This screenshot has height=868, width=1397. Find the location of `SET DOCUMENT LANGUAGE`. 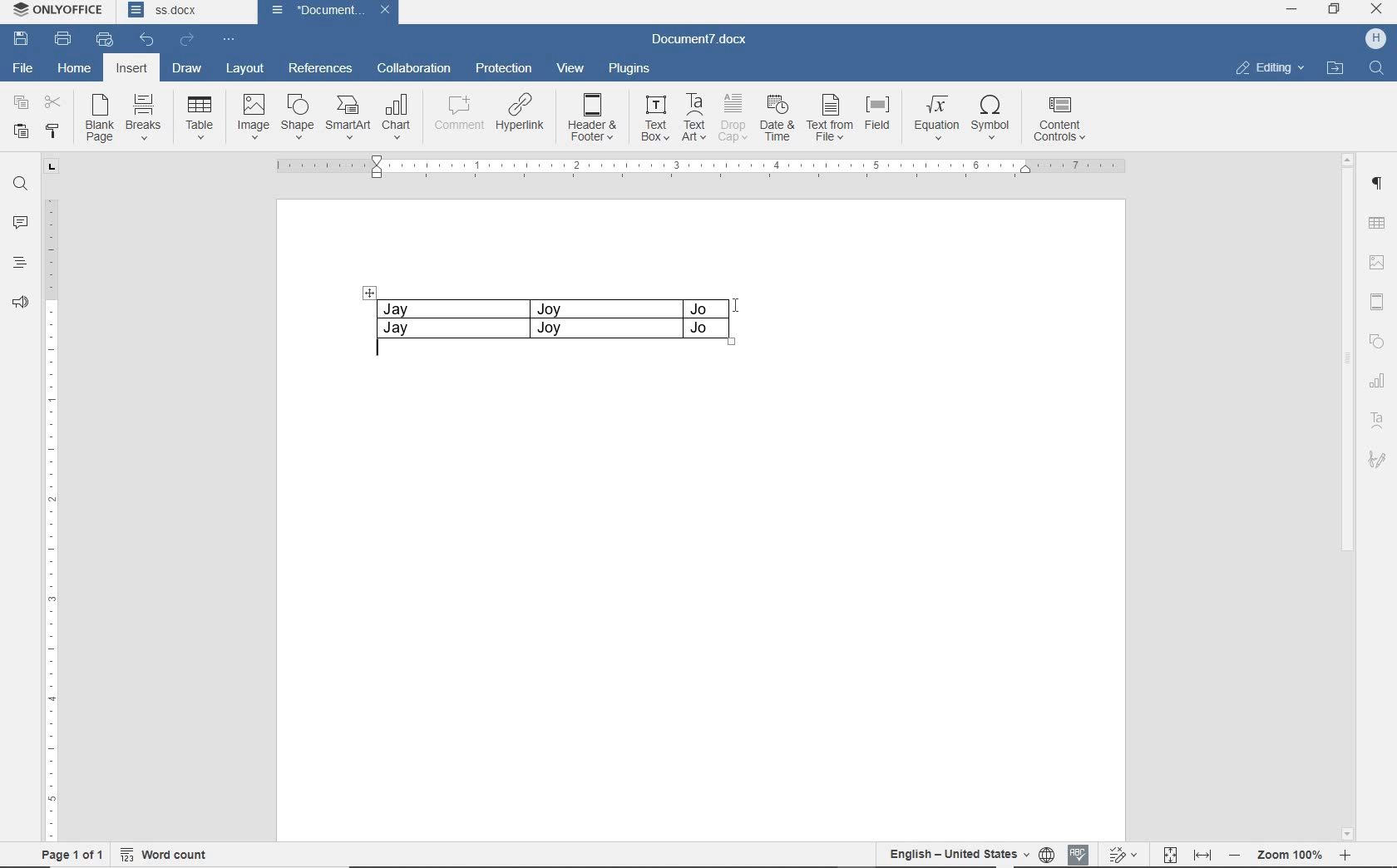

SET DOCUMENT LANGUAGE is located at coordinates (1049, 852).